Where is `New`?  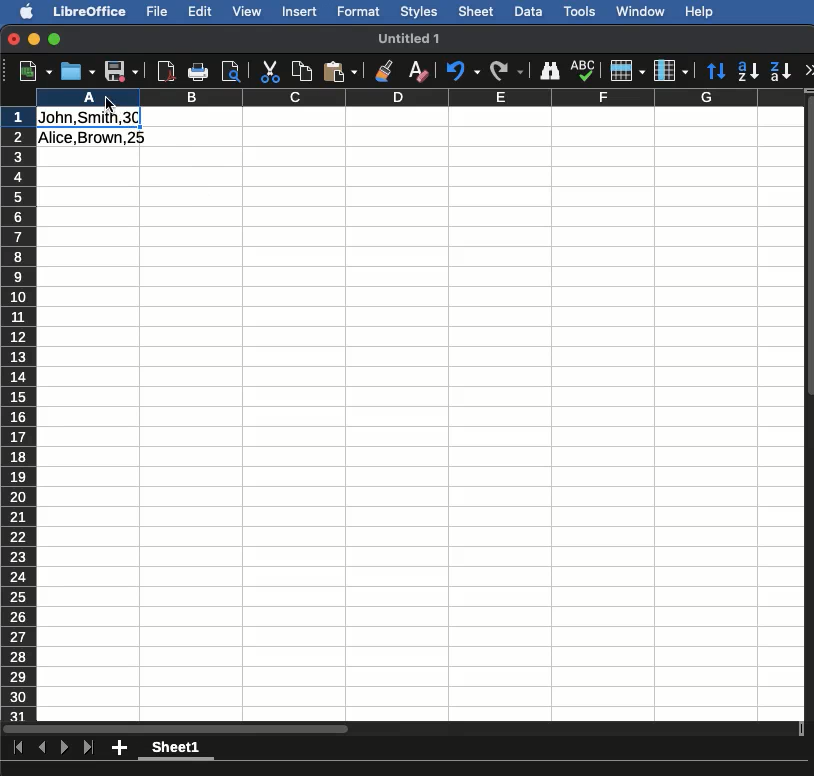
New is located at coordinates (35, 69).